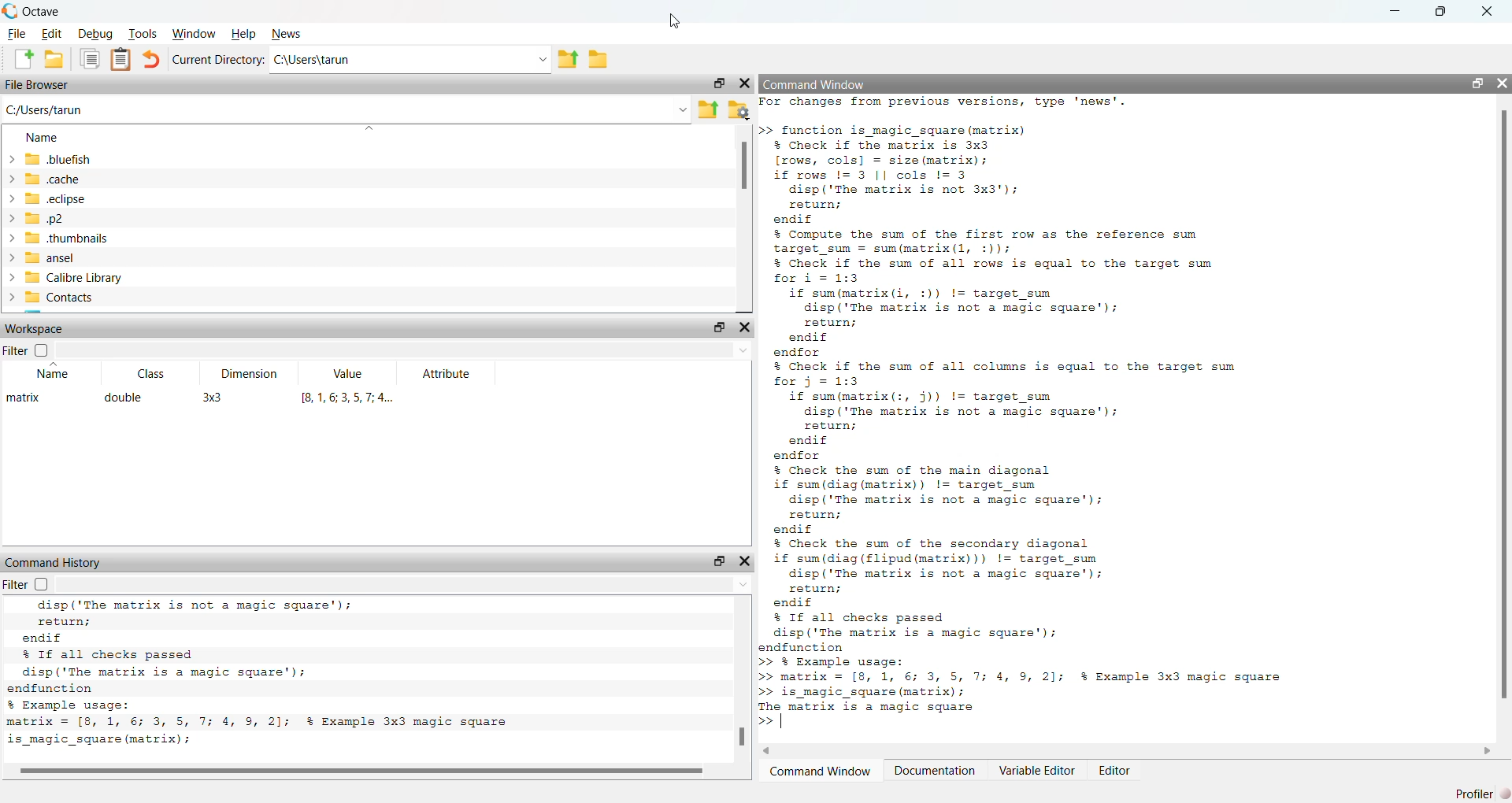  What do you see at coordinates (709, 109) in the screenshot?
I see `Previous Folder` at bounding box center [709, 109].